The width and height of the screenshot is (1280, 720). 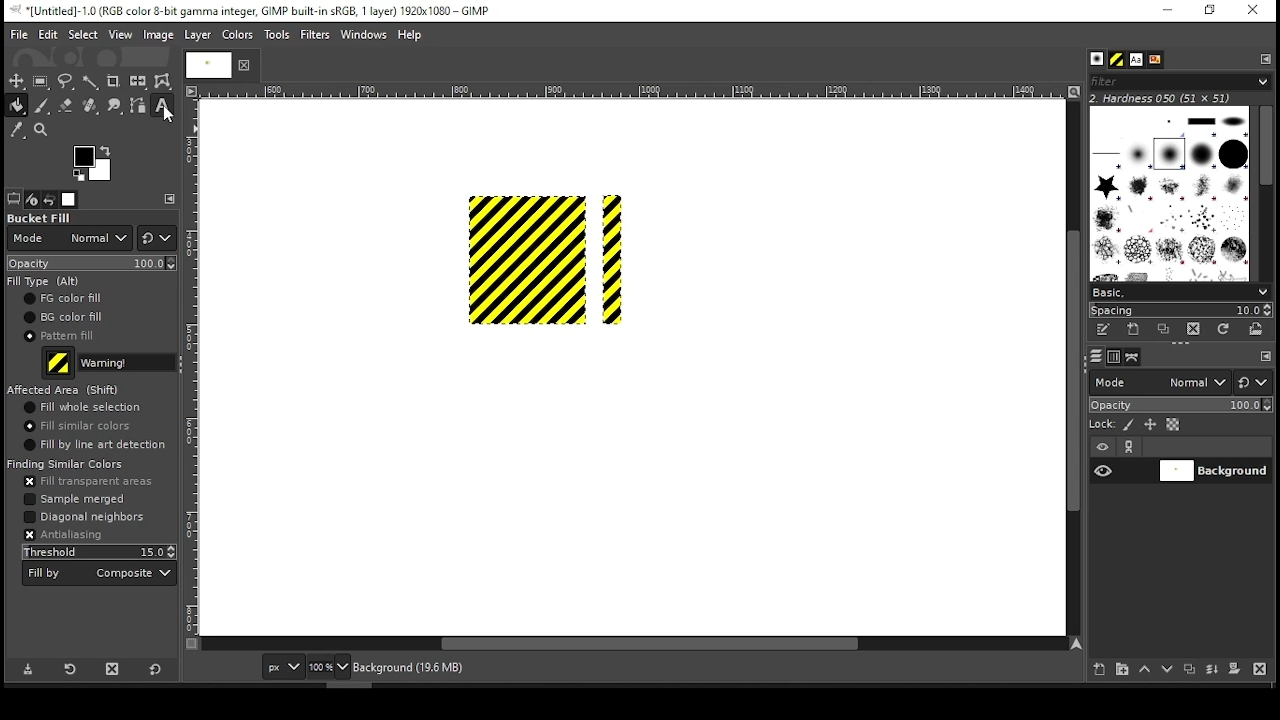 What do you see at coordinates (1113, 357) in the screenshot?
I see `channels` at bounding box center [1113, 357].